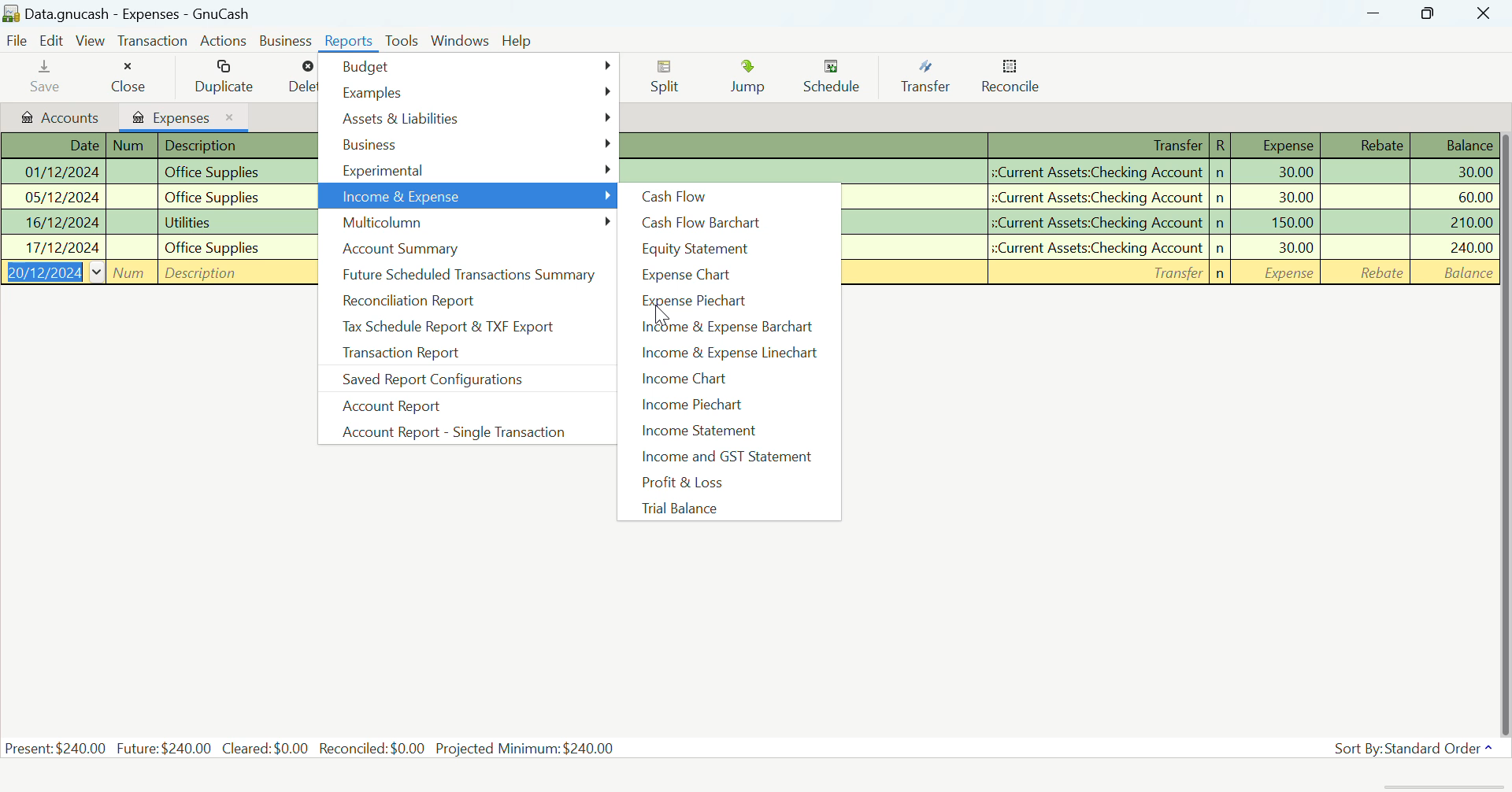 The image size is (1512, 792). Describe the element at coordinates (1060, 171) in the screenshot. I see `Office Supplies Transaction` at that location.